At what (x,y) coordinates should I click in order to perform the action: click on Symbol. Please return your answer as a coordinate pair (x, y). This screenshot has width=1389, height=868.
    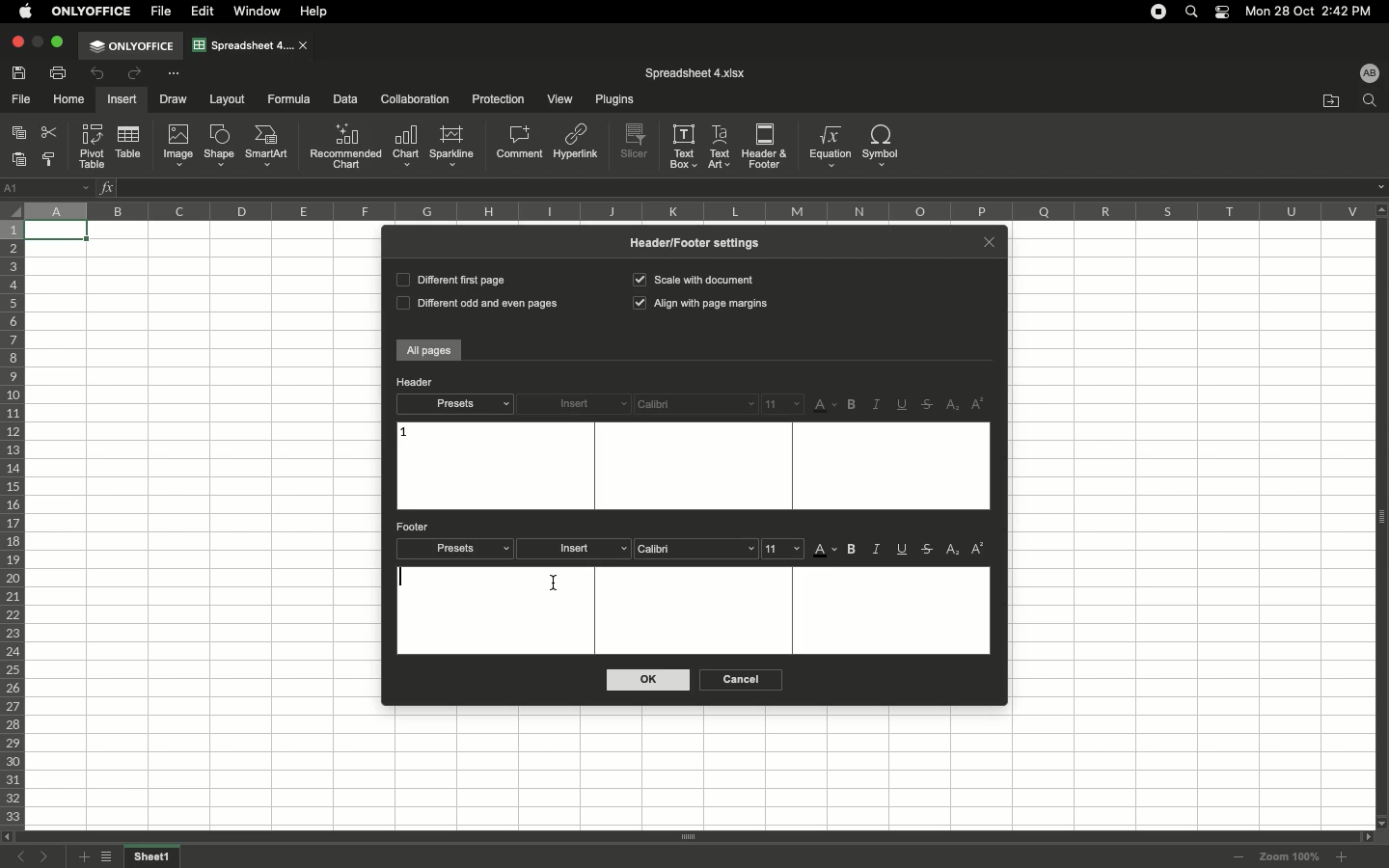
    Looking at the image, I should click on (883, 146).